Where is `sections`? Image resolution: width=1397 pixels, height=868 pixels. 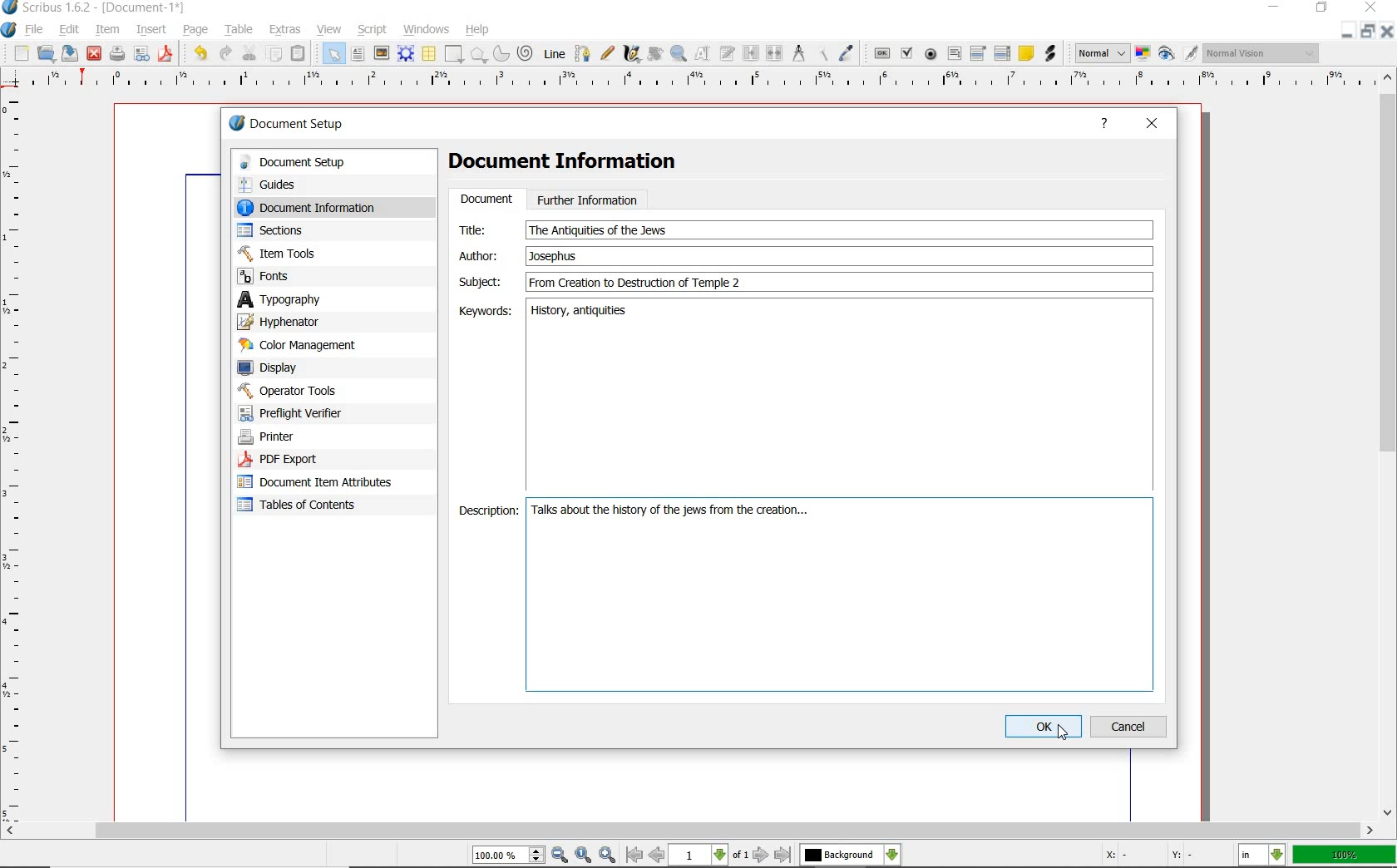 sections is located at coordinates (307, 230).